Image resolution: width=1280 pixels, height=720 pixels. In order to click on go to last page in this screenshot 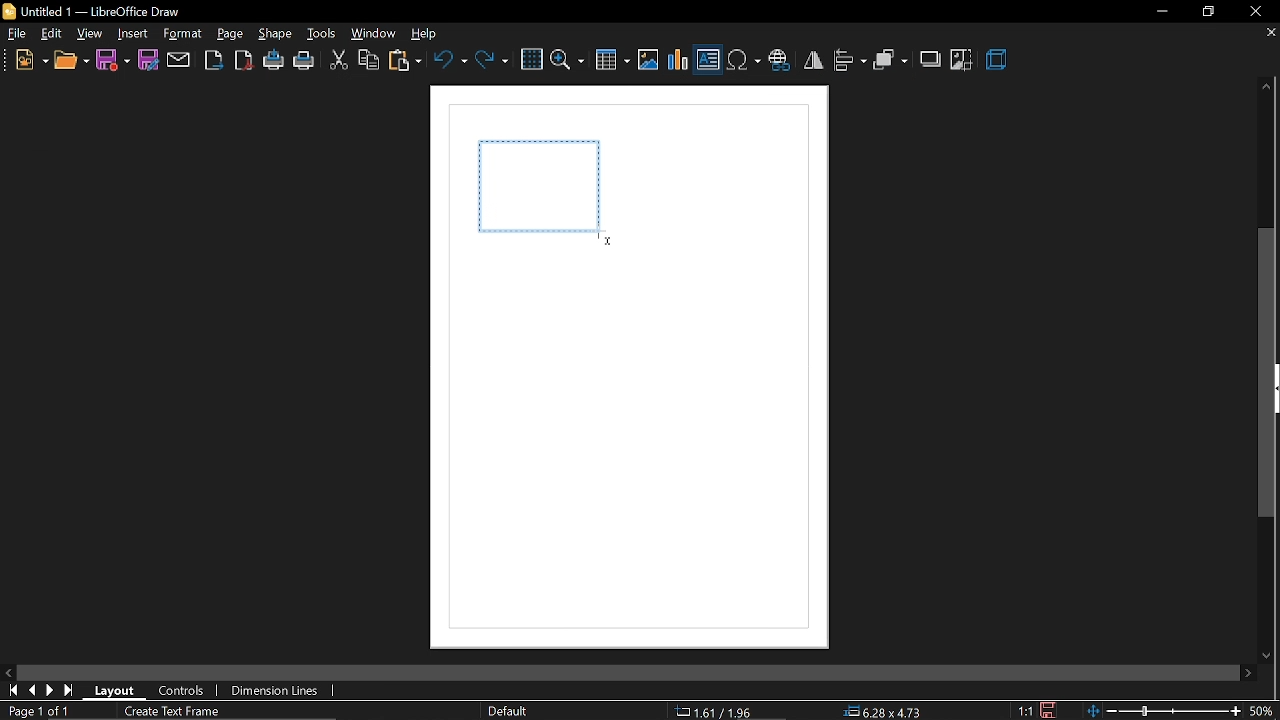, I will do `click(53, 691)`.